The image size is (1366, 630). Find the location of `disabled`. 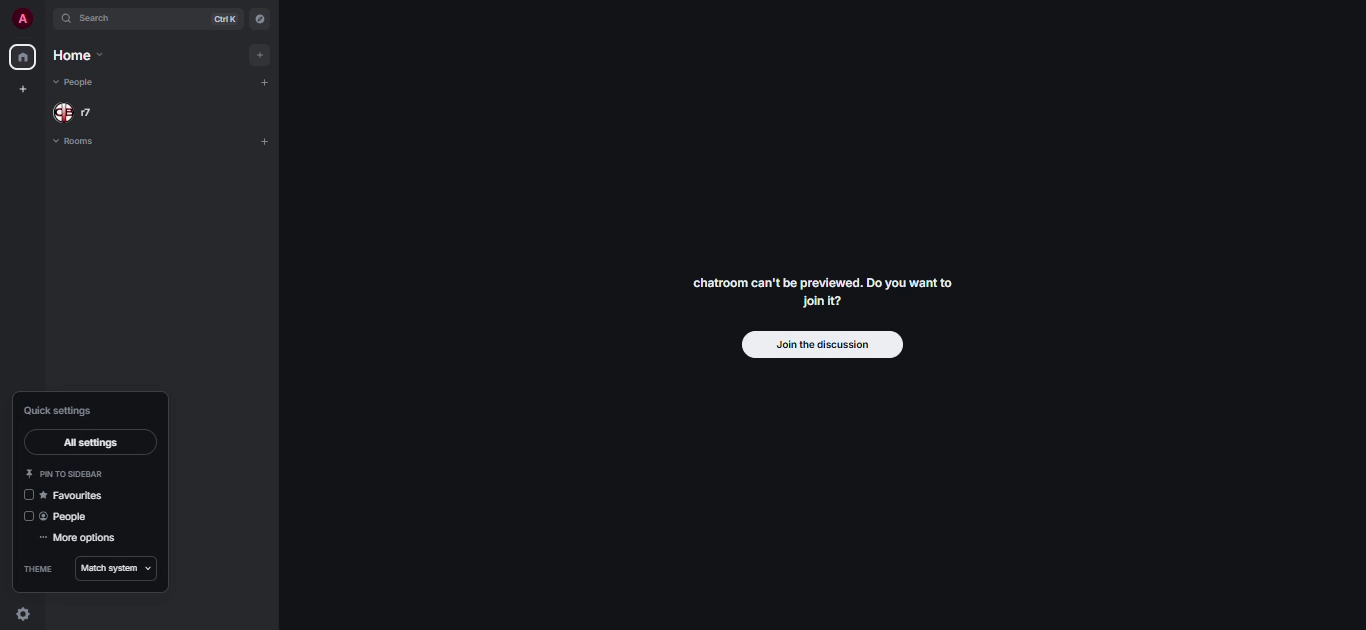

disabled is located at coordinates (28, 516).